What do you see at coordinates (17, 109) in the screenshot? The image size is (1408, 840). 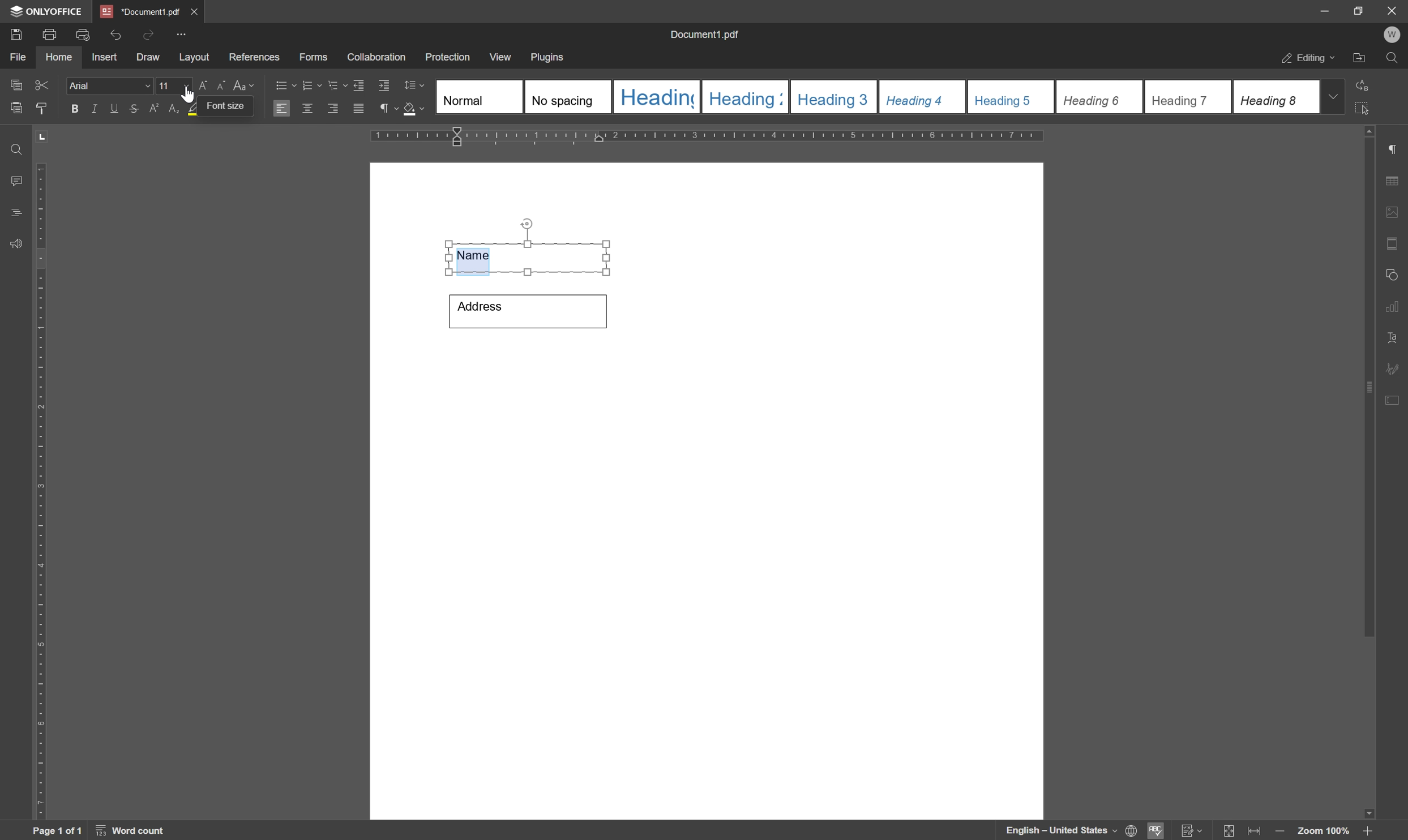 I see `paste` at bounding box center [17, 109].